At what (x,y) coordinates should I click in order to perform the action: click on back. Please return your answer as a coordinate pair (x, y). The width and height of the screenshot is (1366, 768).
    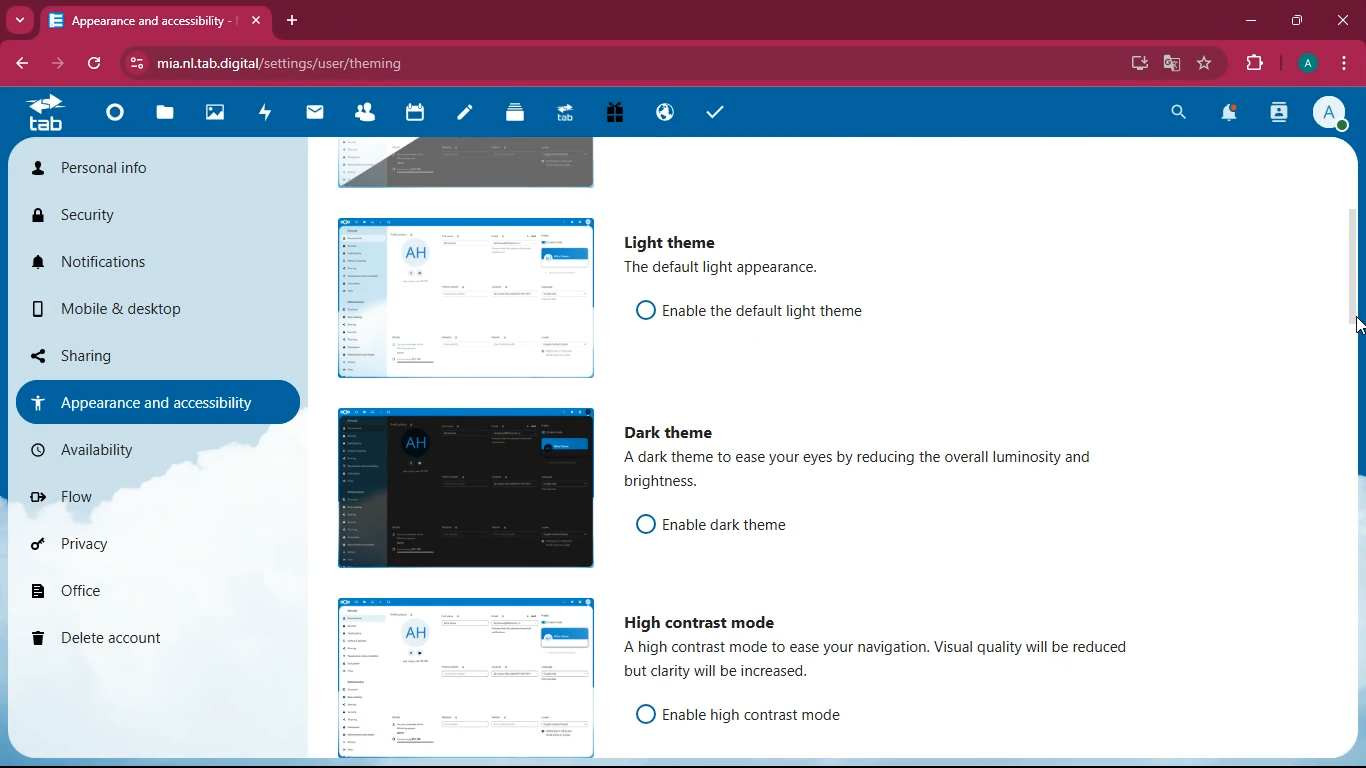
    Looking at the image, I should click on (22, 64).